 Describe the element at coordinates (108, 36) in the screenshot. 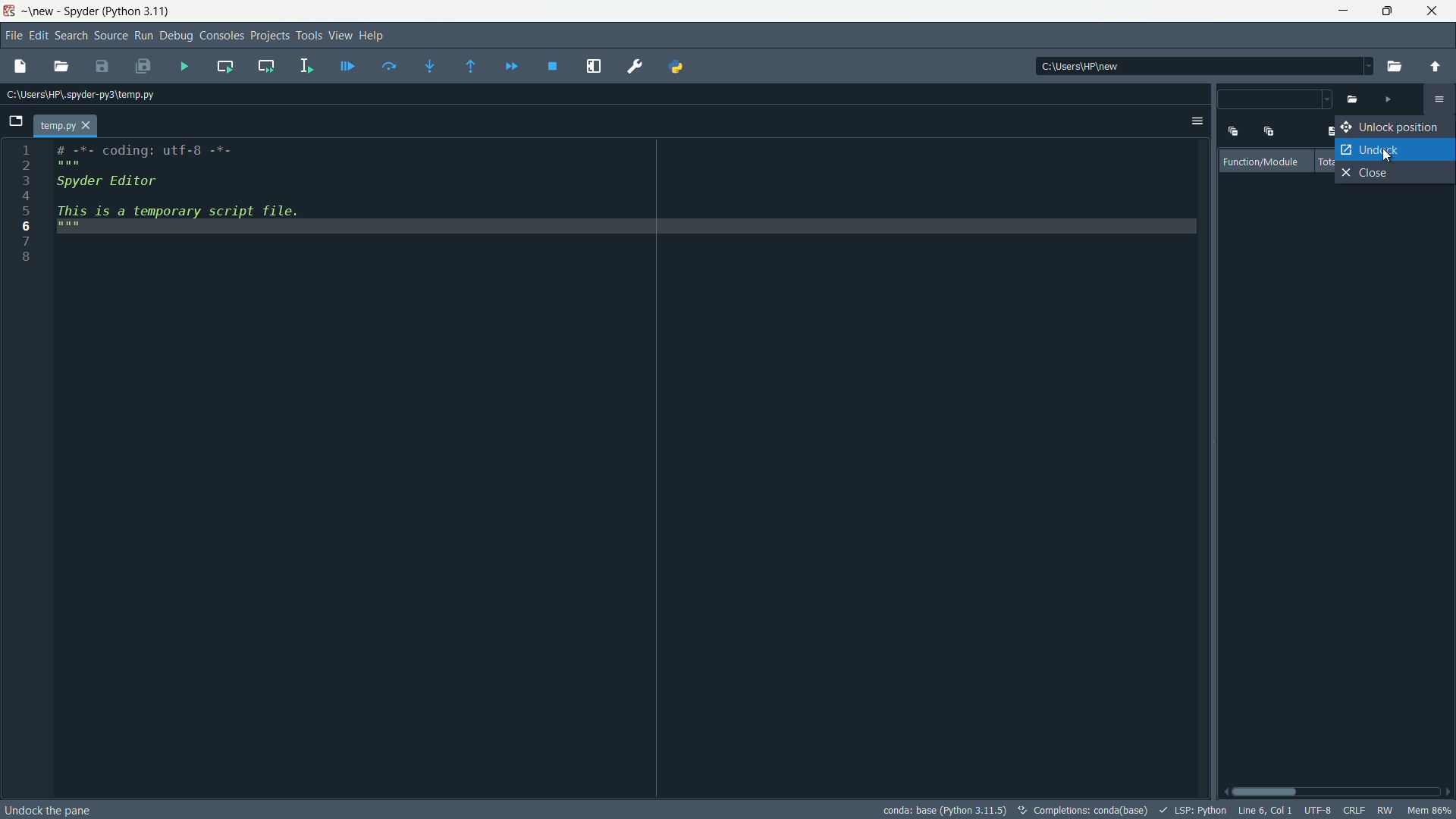

I see `source menu` at that location.